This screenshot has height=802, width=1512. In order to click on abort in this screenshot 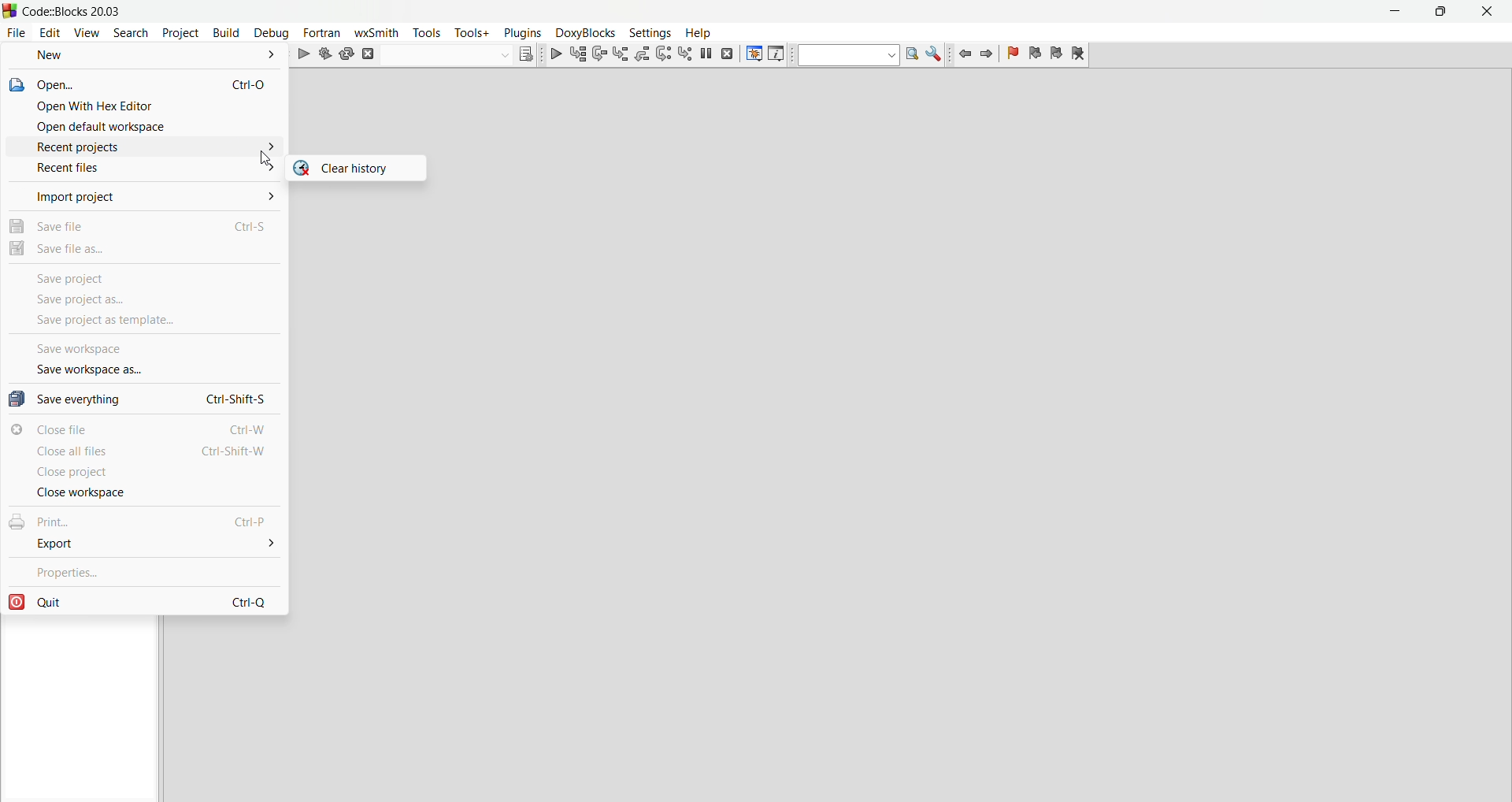, I will do `click(369, 57)`.